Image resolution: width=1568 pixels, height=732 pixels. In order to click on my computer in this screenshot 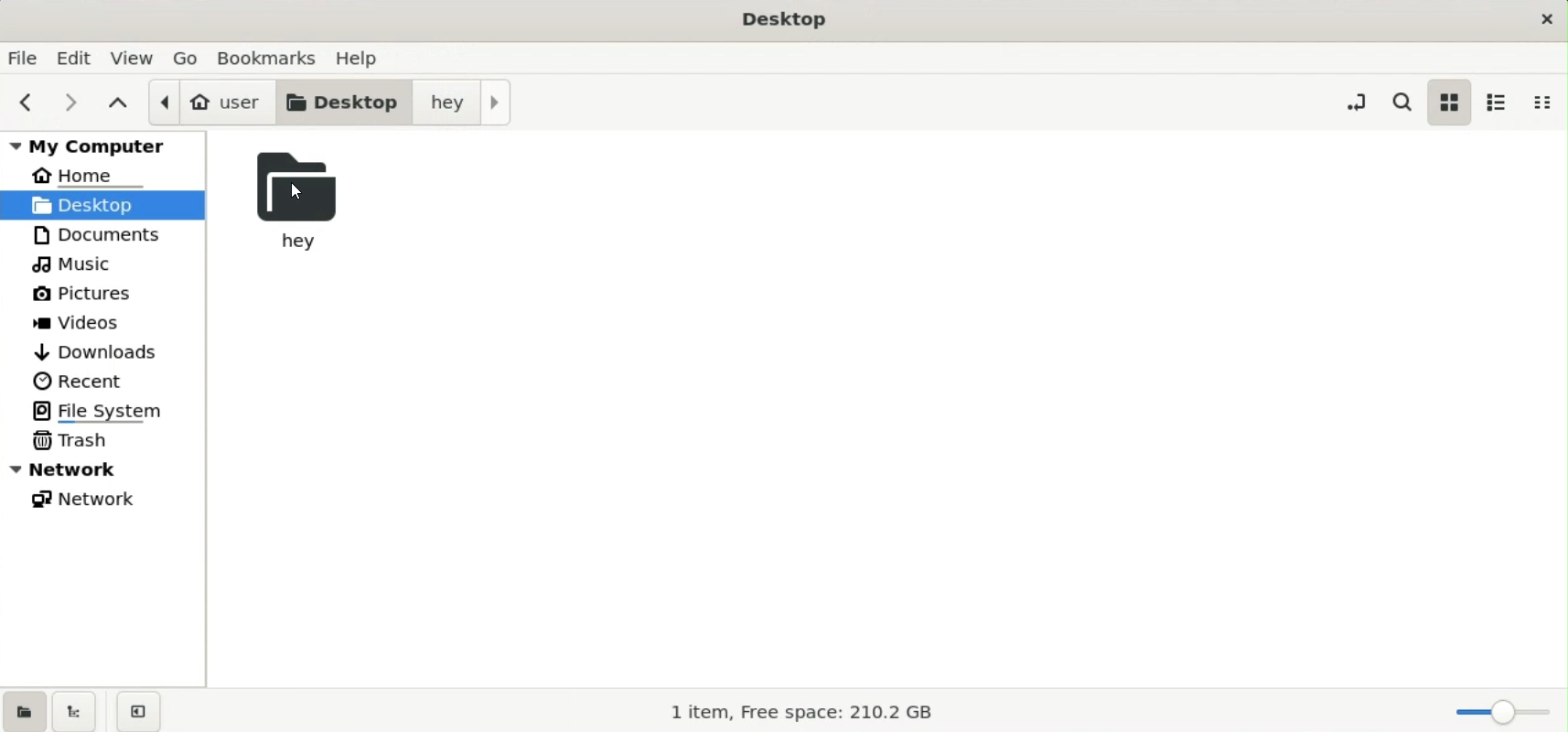, I will do `click(107, 145)`.